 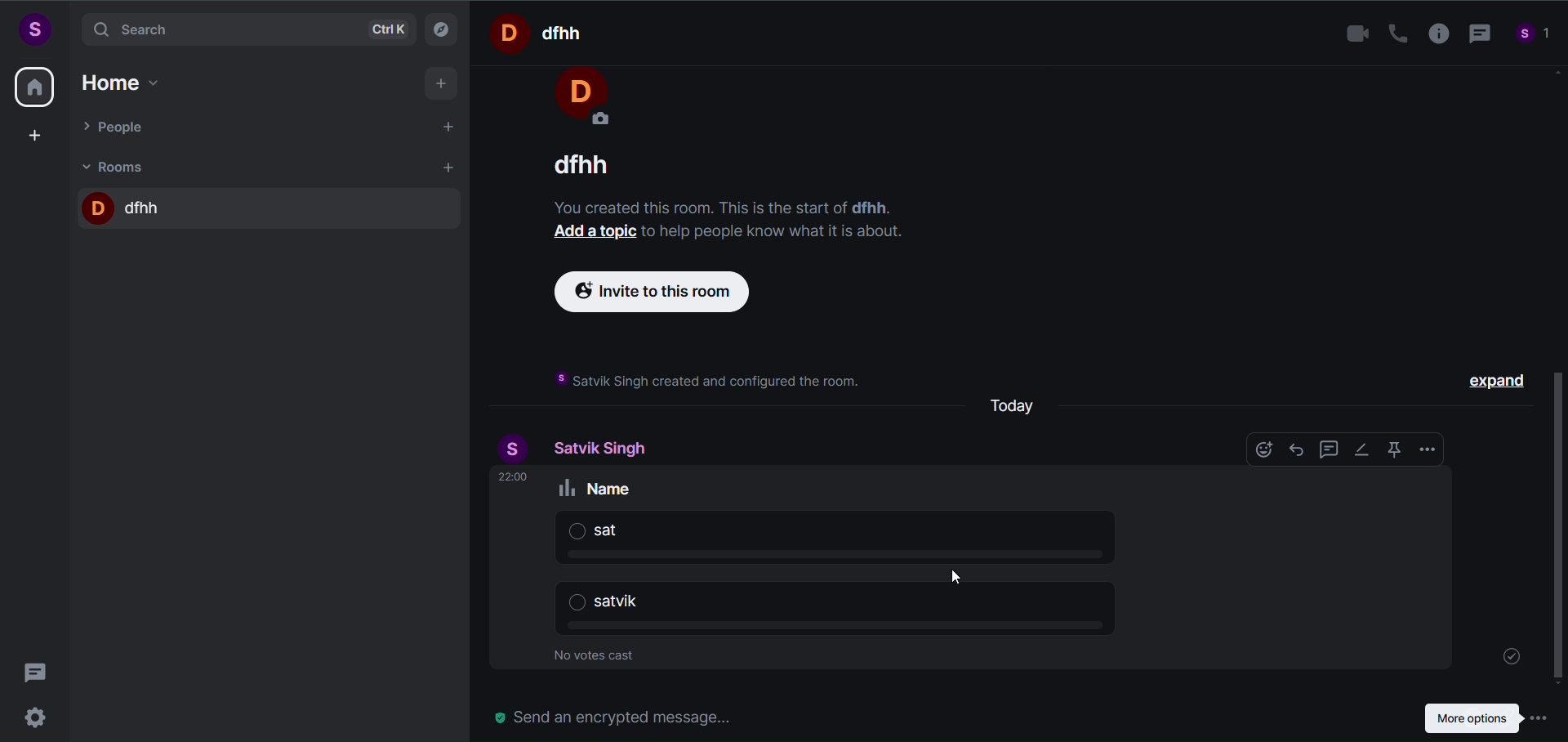 What do you see at coordinates (34, 87) in the screenshot?
I see `home` at bounding box center [34, 87].